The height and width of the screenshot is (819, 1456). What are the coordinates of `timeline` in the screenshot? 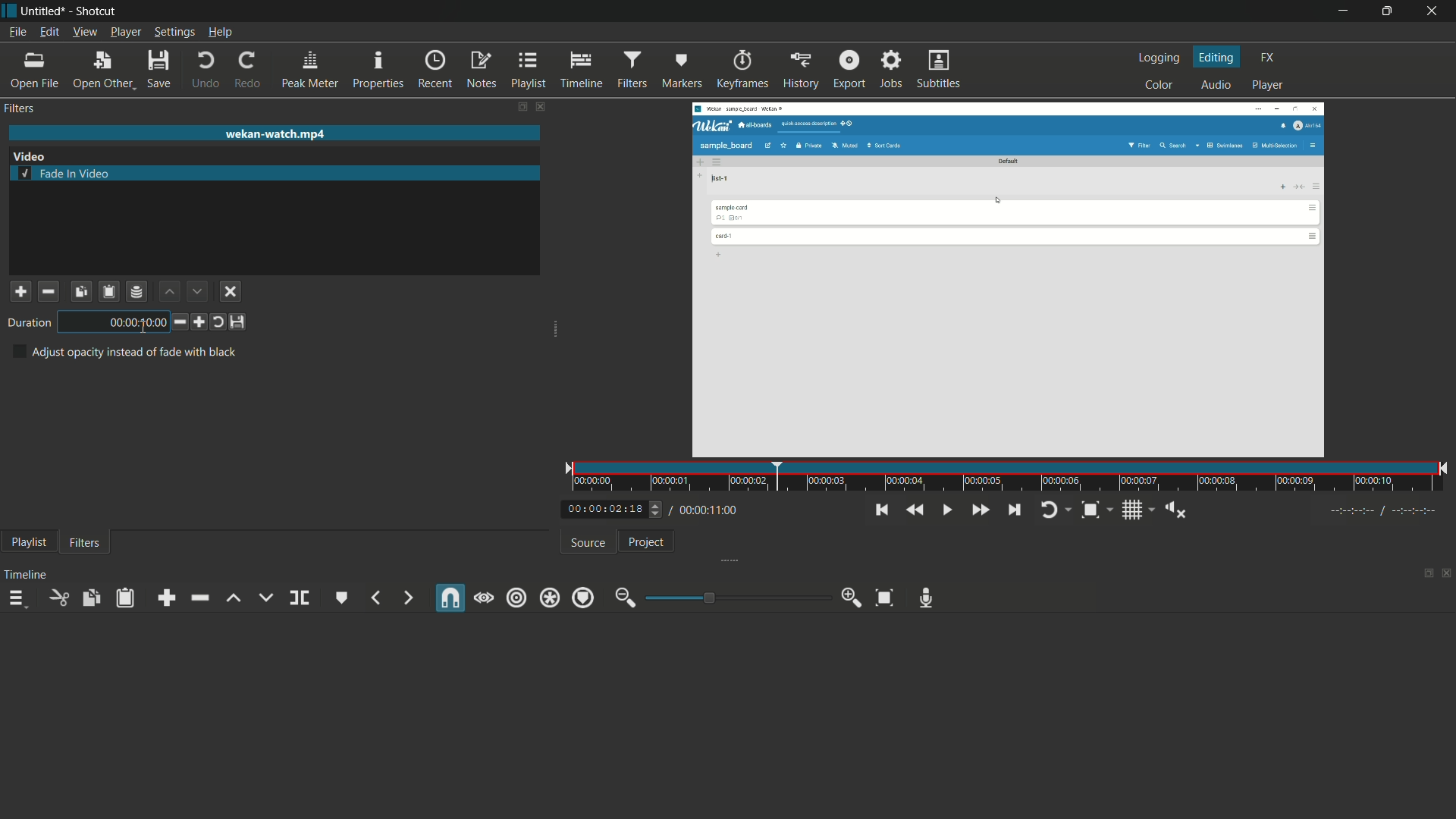 It's located at (581, 71).